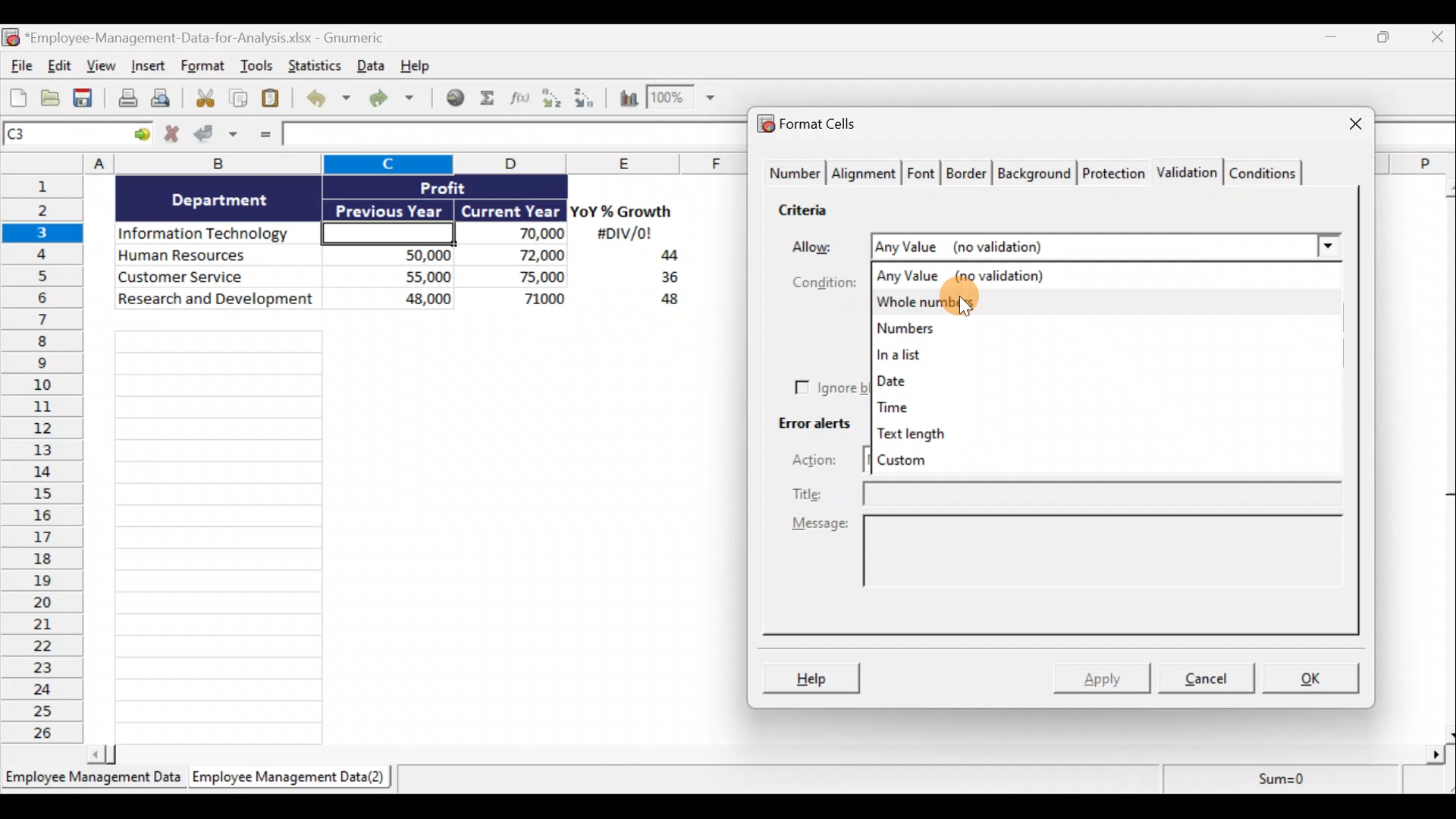  What do you see at coordinates (218, 234) in the screenshot?
I see `Information Technology` at bounding box center [218, 234].